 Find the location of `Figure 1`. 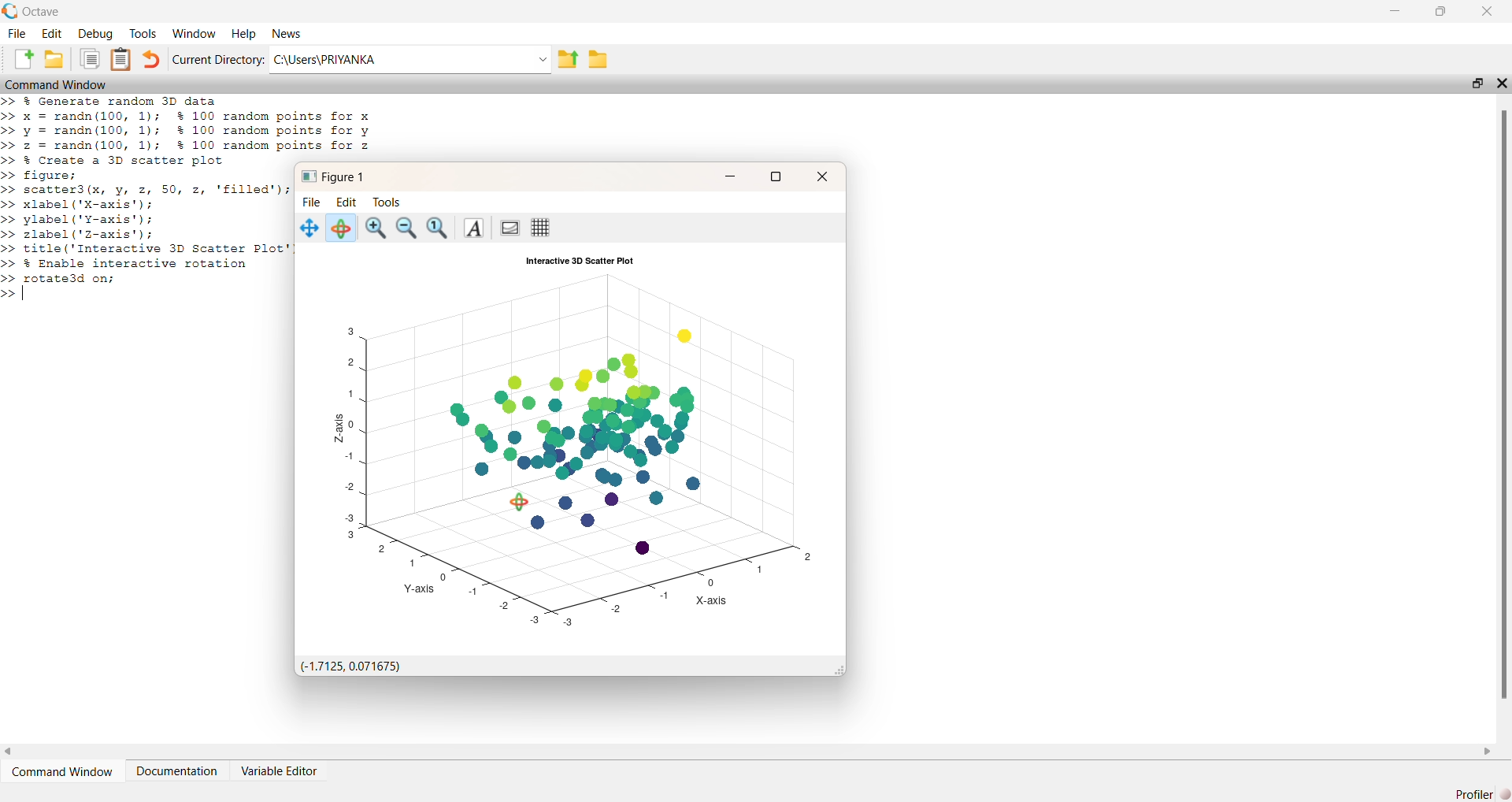

Figure 1 is located at coordinates (333, 177).